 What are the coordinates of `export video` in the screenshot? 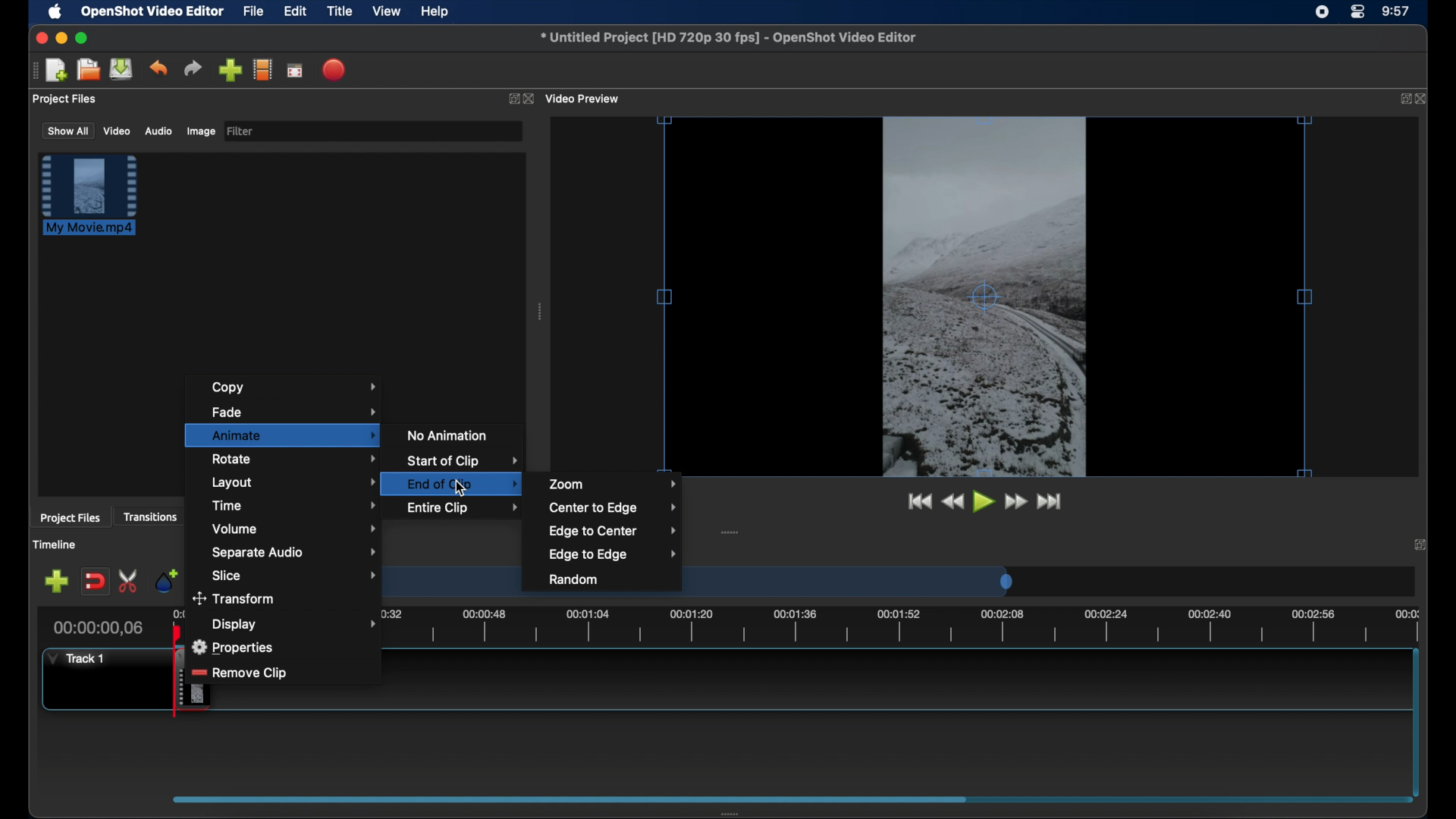 It's located at (335, 70).